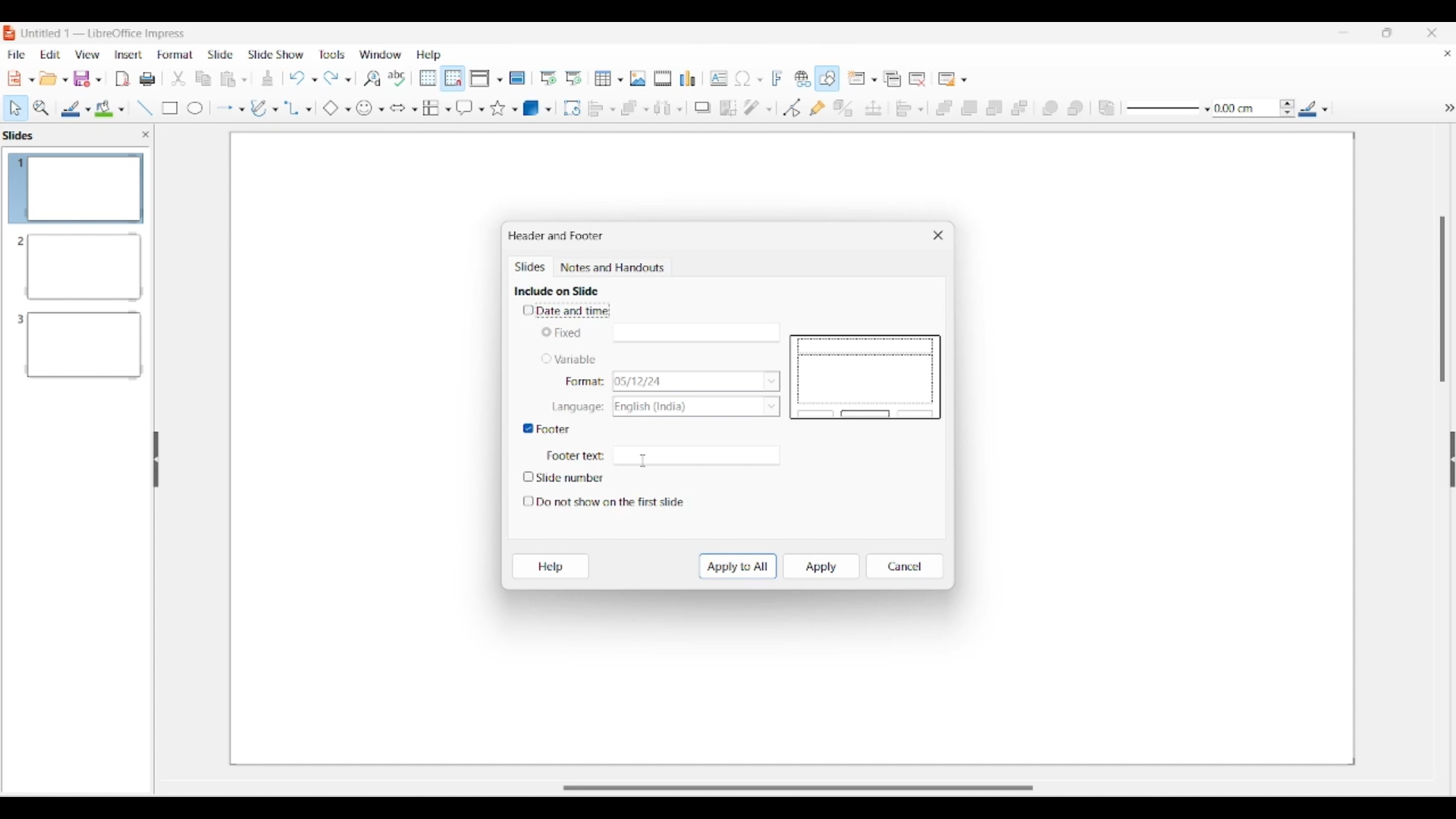 Image resolution: width=1456 pixels, height=819 pixels. I want to click on Rectangle, so click(165, 106).